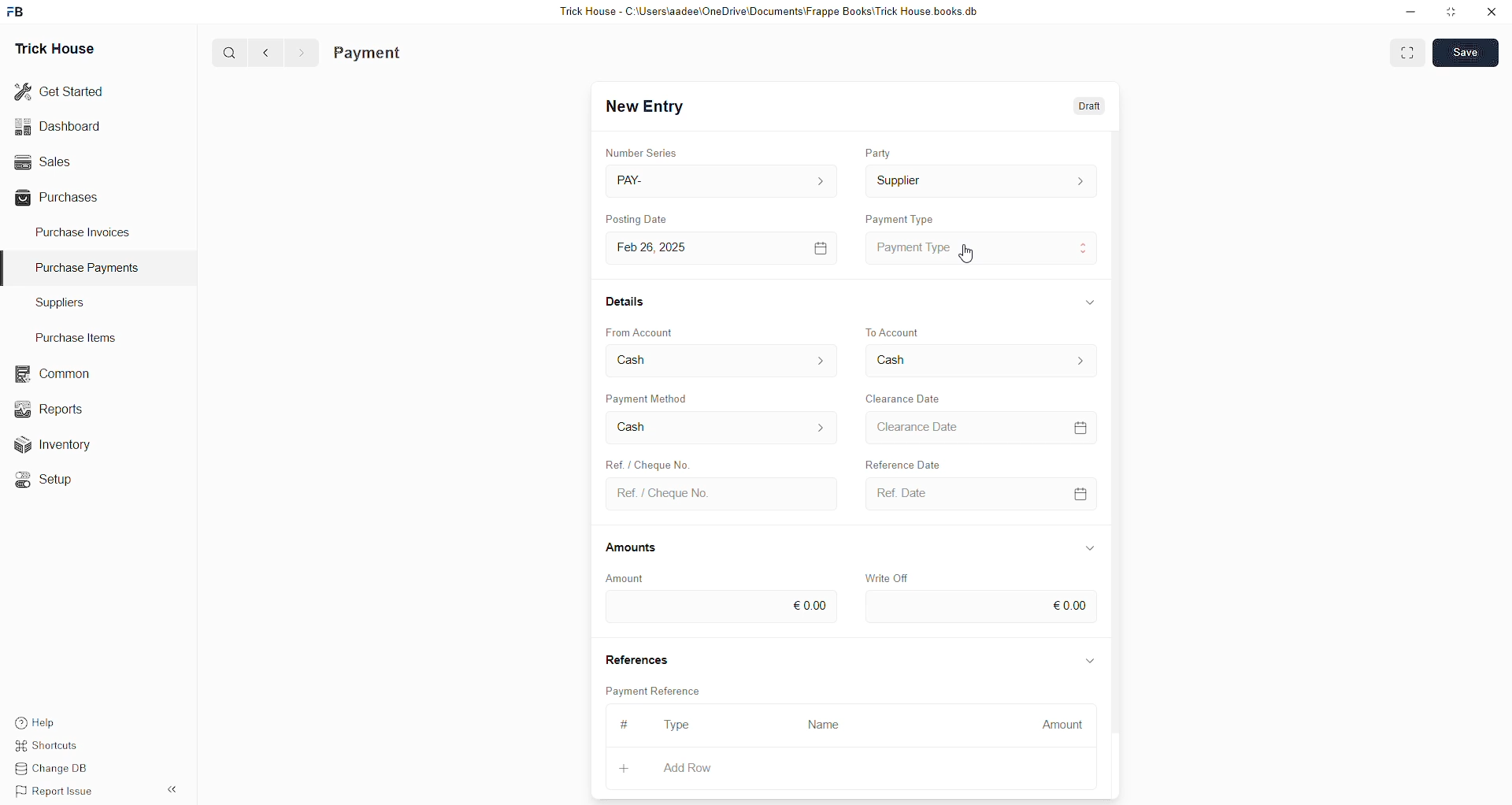  What do you see at coordinates (45, 161) in the screenshot?
I see `Sales` at bounding box center [45, 161].